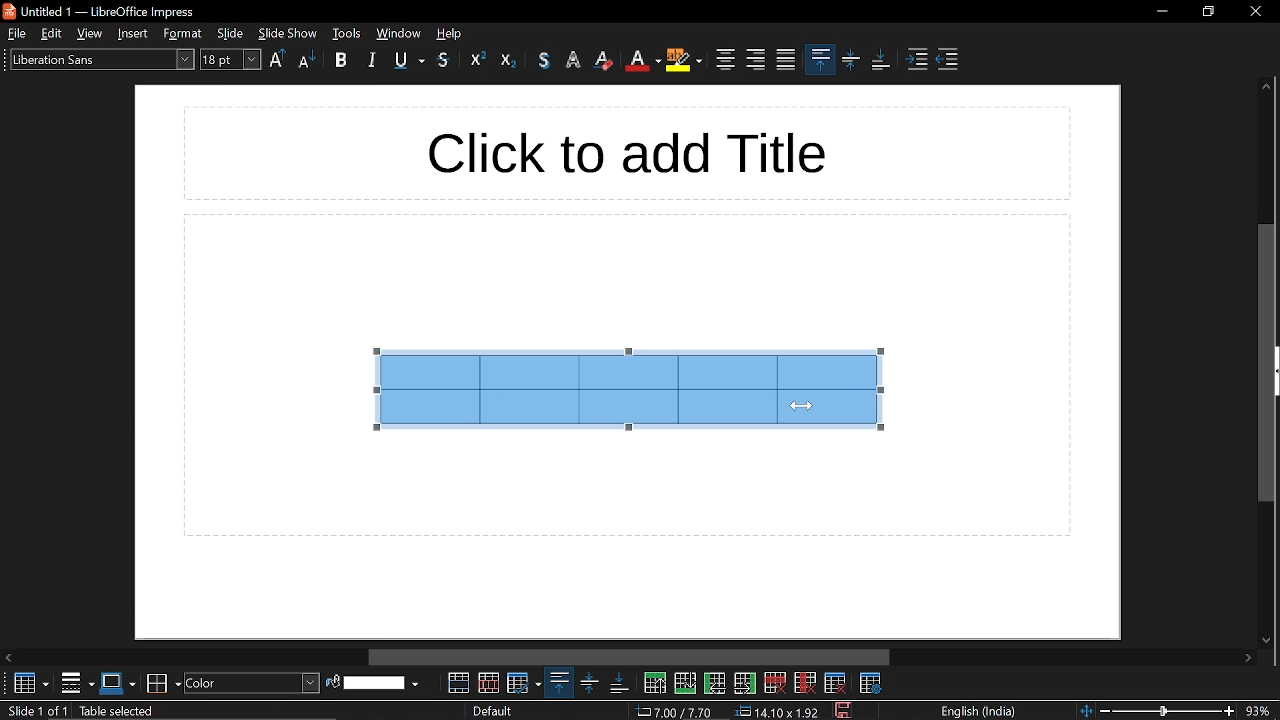 The width and height of the screenshot is (1280, 720). What do you see at coordinates (872, 683) in the screenshot?
I see `table properties` at bounding box center [872, 683].